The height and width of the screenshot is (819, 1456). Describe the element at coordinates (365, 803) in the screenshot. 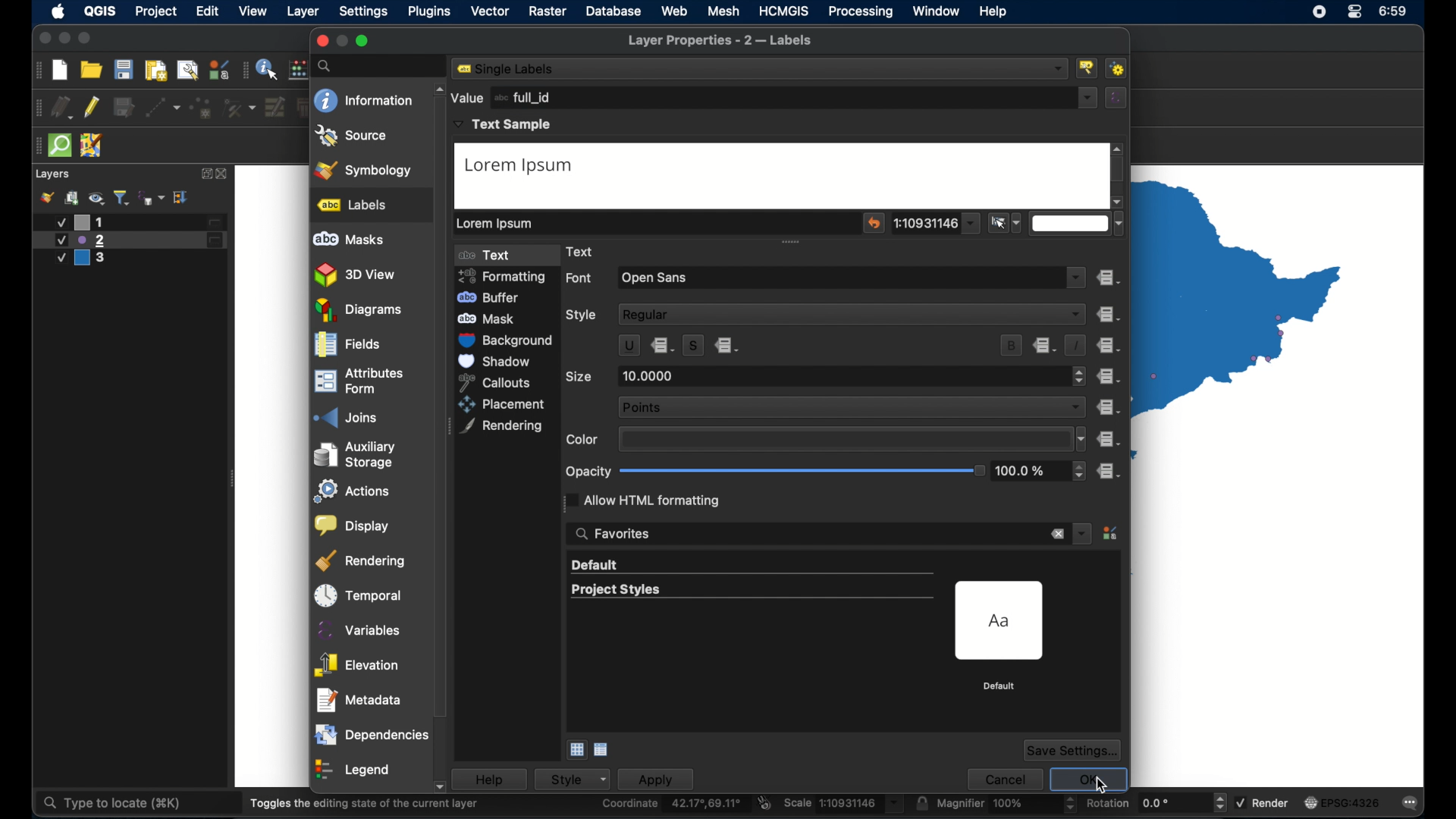

I see `toggles the  dining state of the current layer` at that location.